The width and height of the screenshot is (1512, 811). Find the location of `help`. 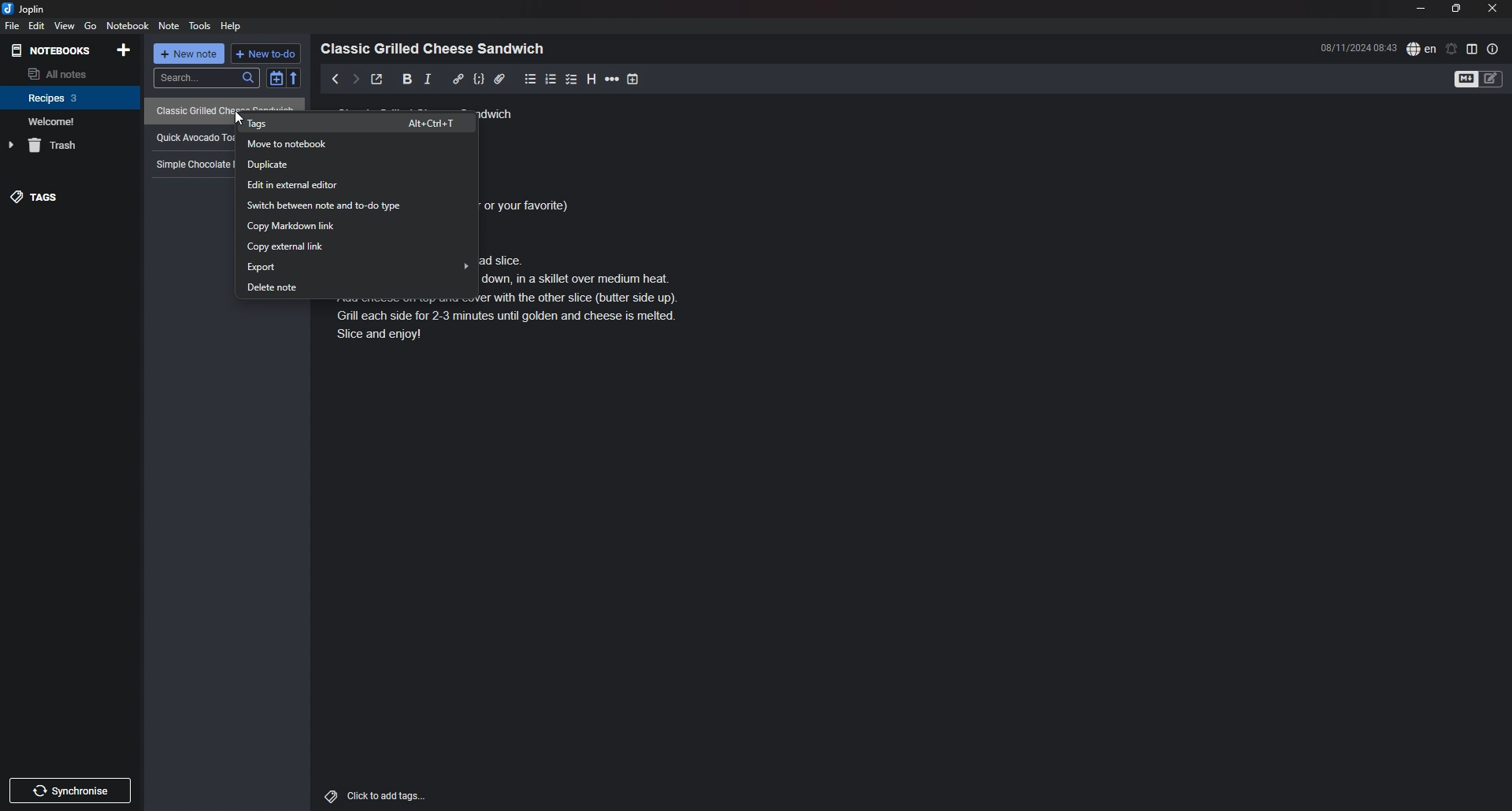

help is located at coordinates (233, 26).